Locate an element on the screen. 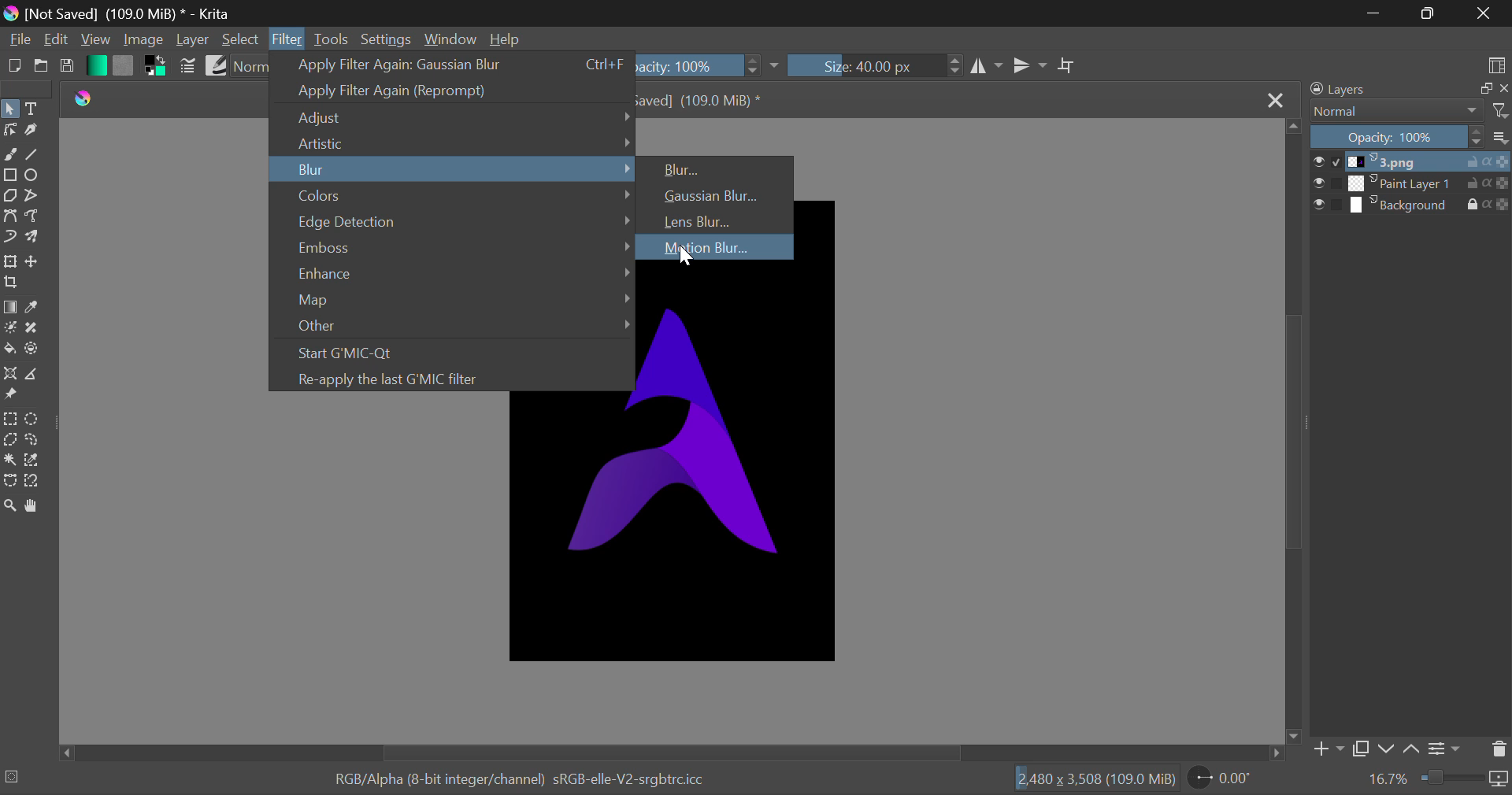 Image resolution: width=1512 pixels, height=795 pixels. Zoom is located at coordinates (13, 508).